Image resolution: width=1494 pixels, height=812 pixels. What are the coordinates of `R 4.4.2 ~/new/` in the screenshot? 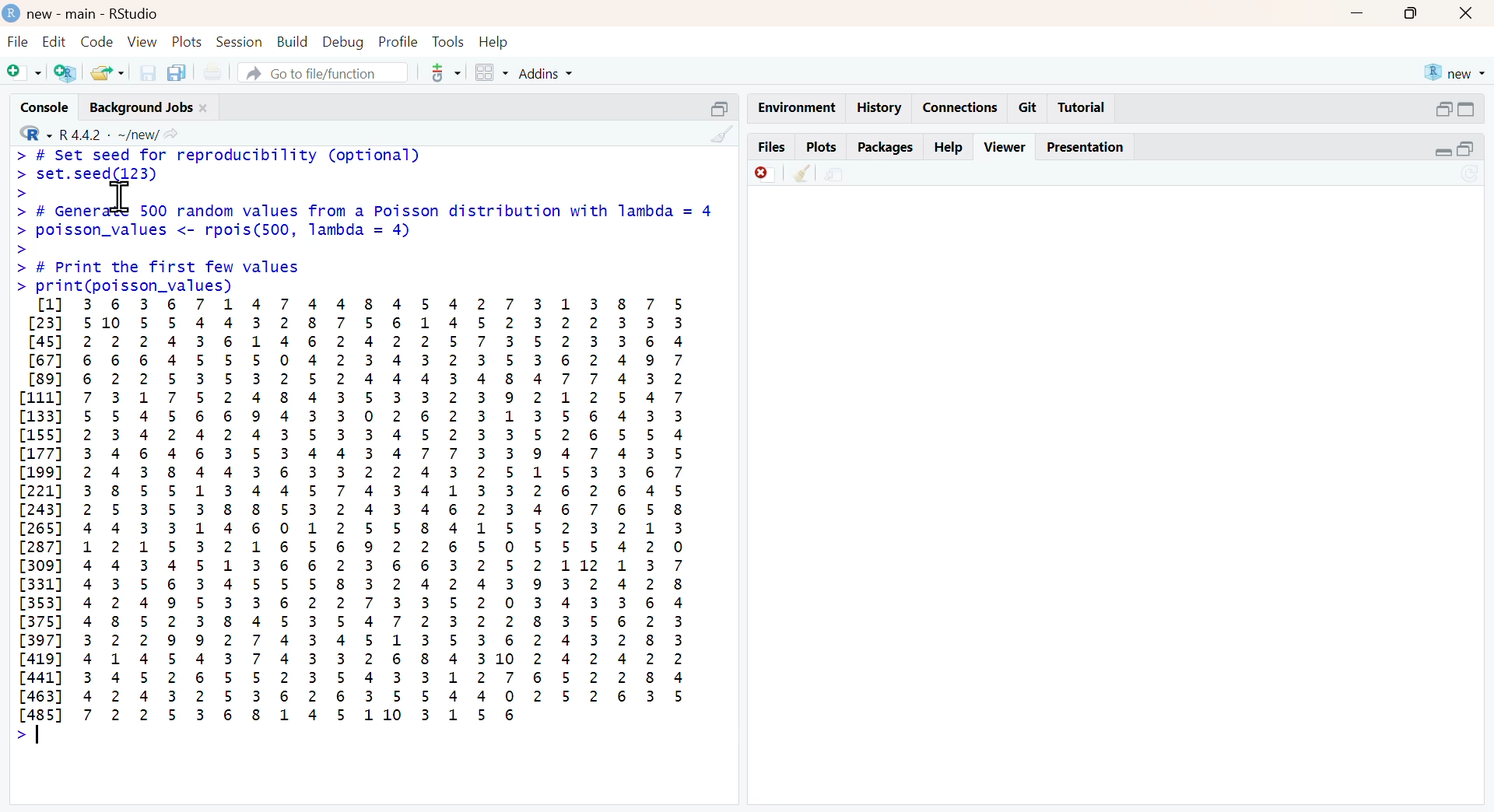 It's located at (110, 135).